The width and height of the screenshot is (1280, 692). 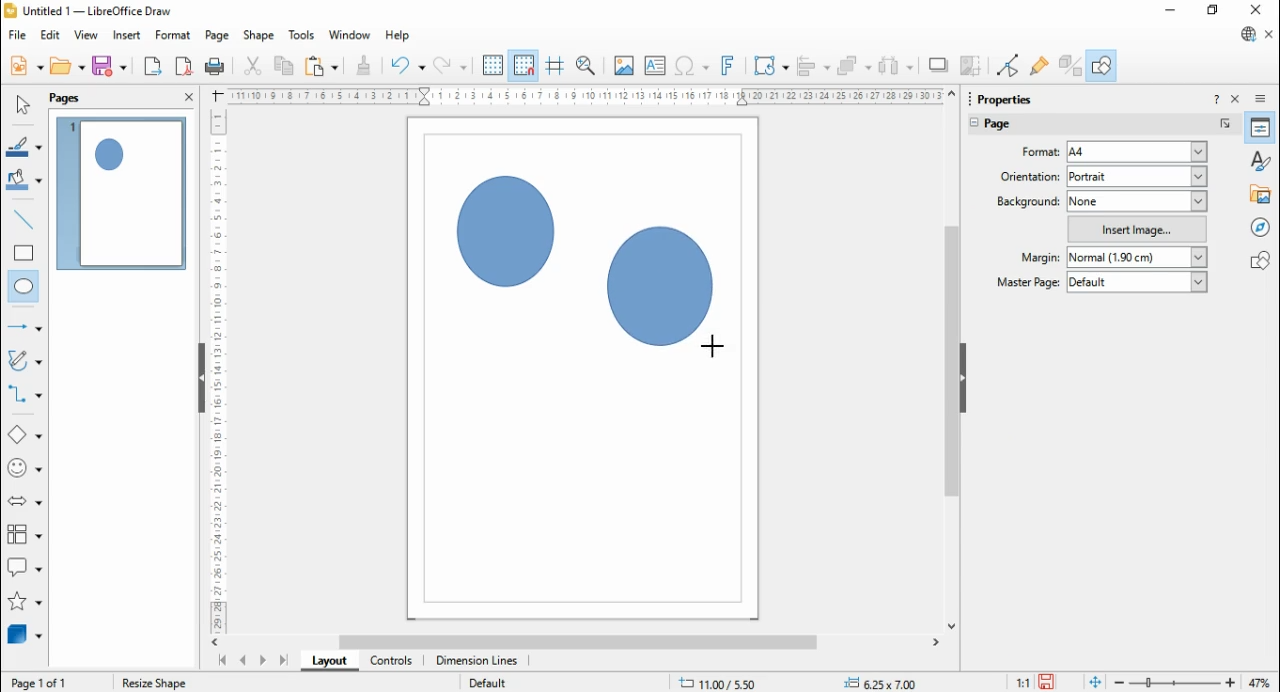 What do you see at coordinates (23, 635) in the screenshot?
I see `3D Objects` at bounding box center [23, 635].